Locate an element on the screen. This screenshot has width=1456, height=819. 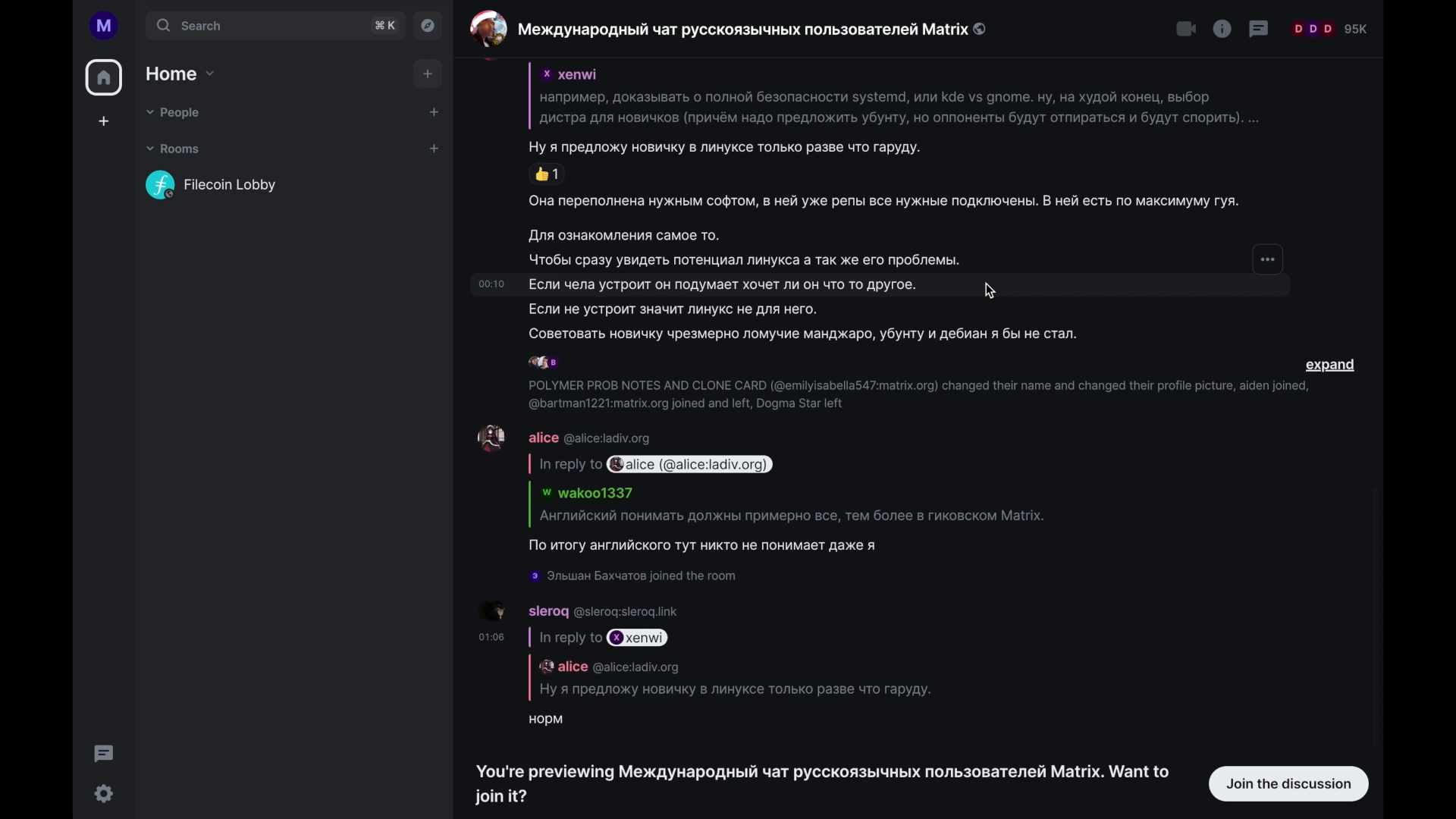
participants is located at coordinates (1330, 28).